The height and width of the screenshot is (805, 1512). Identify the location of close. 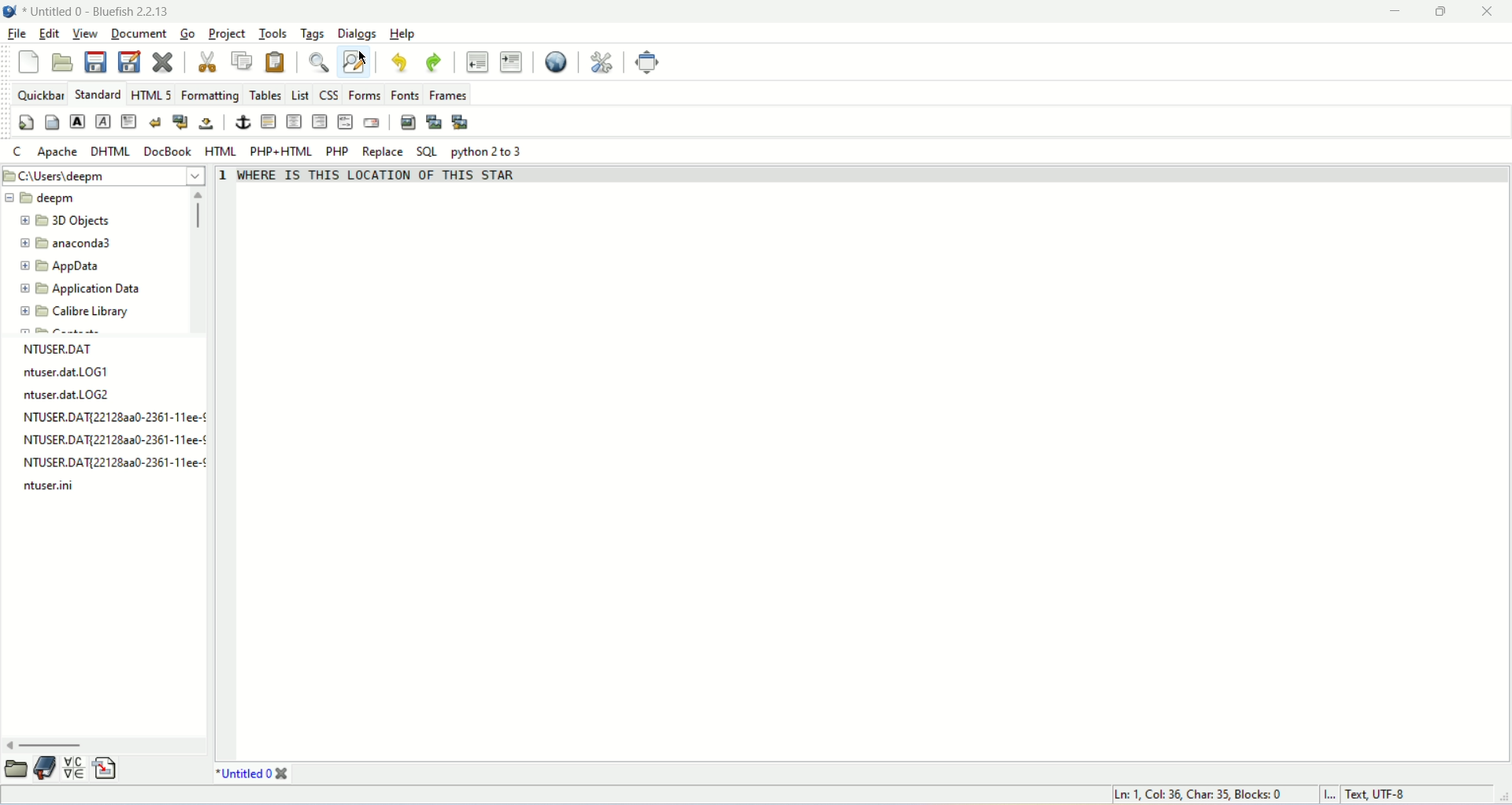
(282, 773).